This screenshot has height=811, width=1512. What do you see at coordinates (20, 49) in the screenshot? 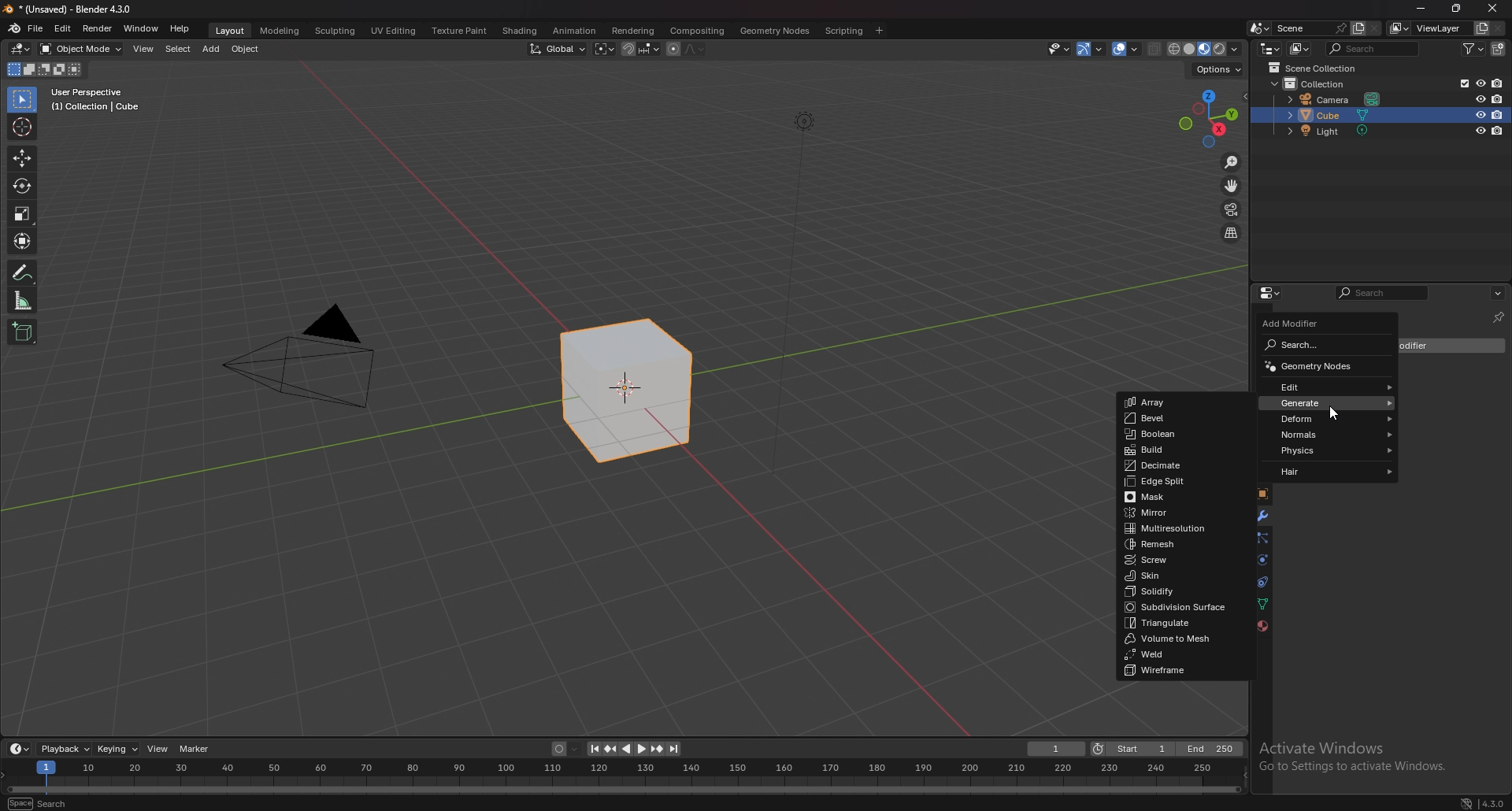
I see `editor type` at bounding box center [20, 49].